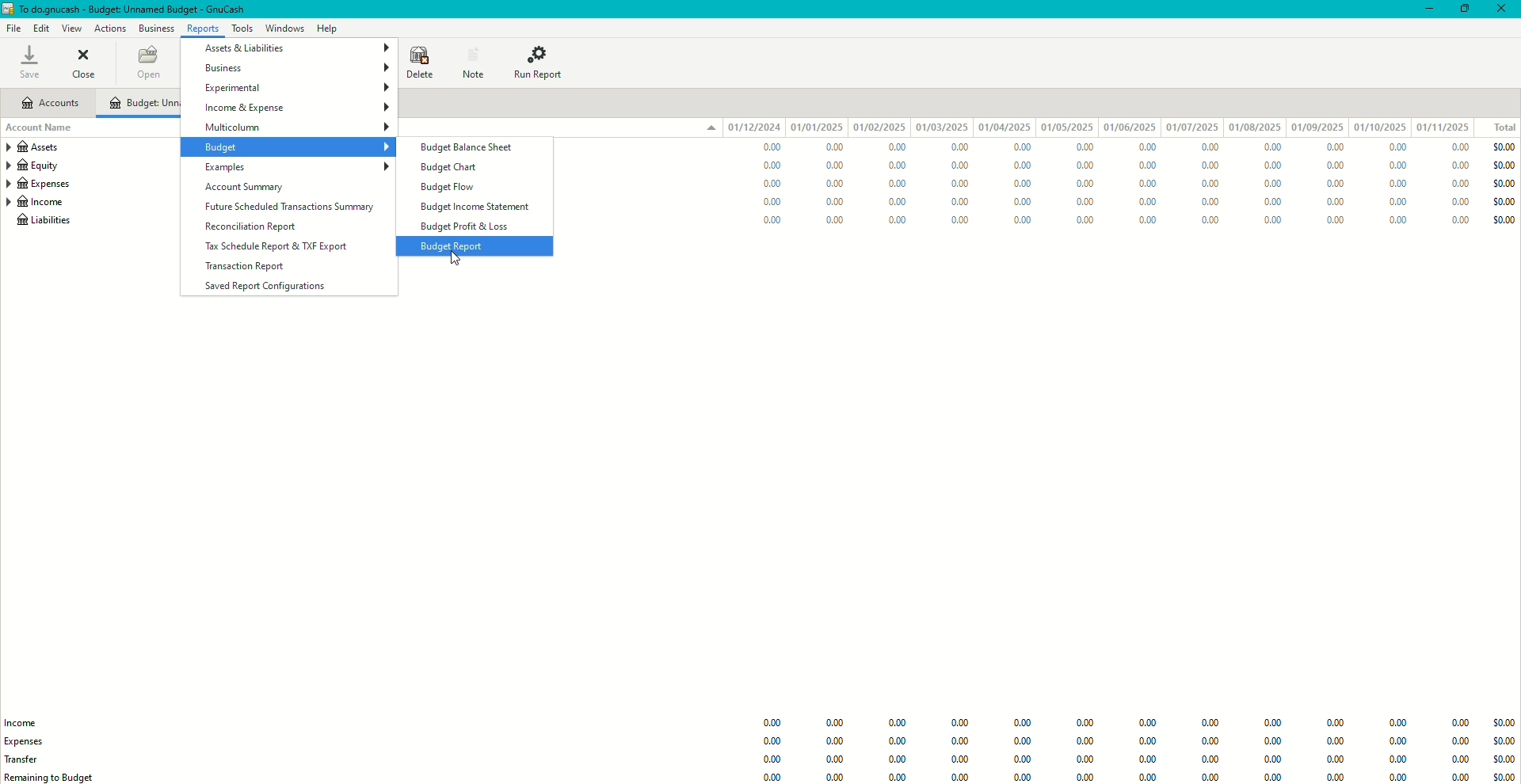 This screenshot has height=784, width=1521. What do you see at coordinates (1256, 128) in the screenshot?
I see `01/08/2025` at bounding box center [1256, 128].